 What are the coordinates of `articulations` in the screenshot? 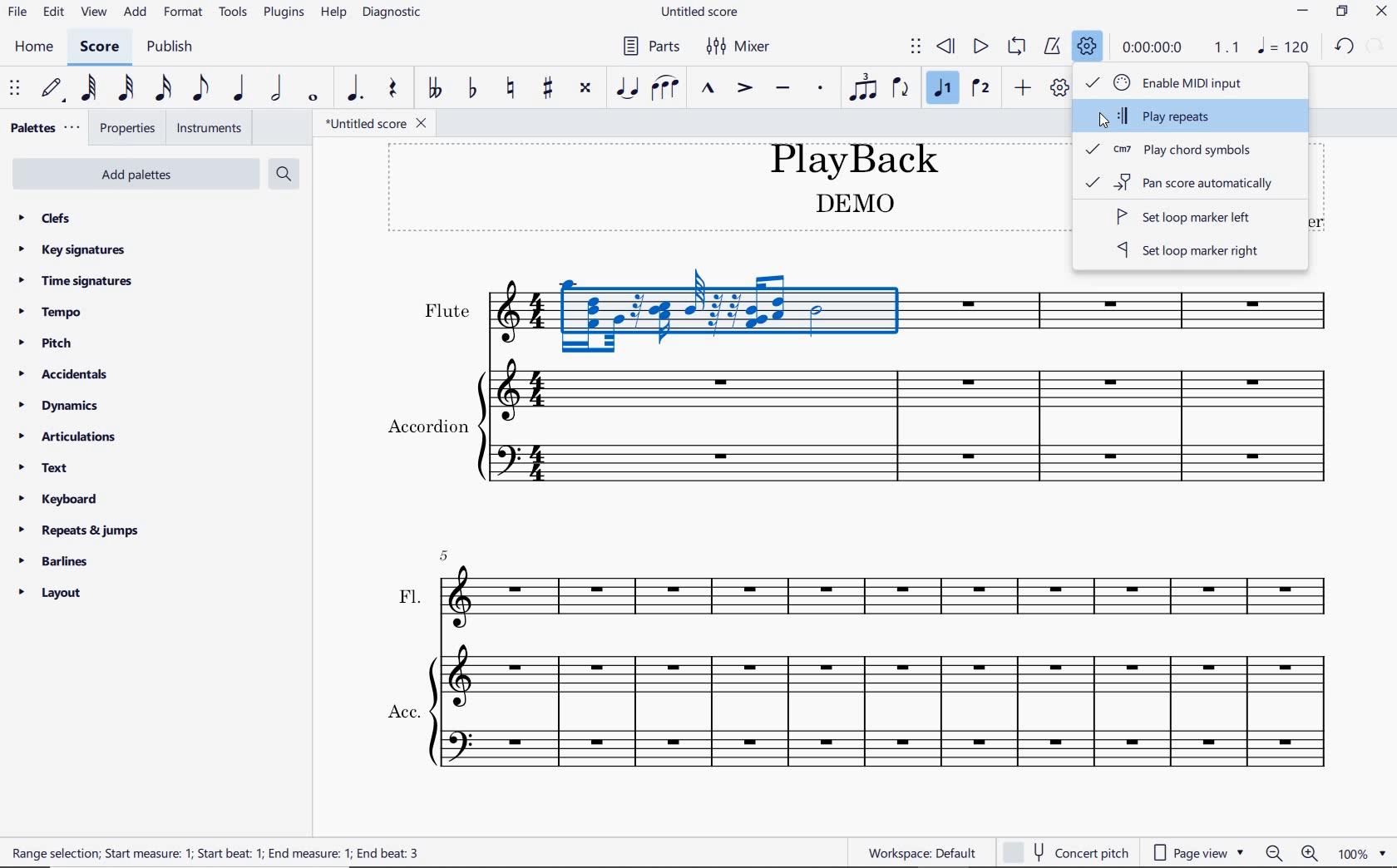 It's located at (64, 437).